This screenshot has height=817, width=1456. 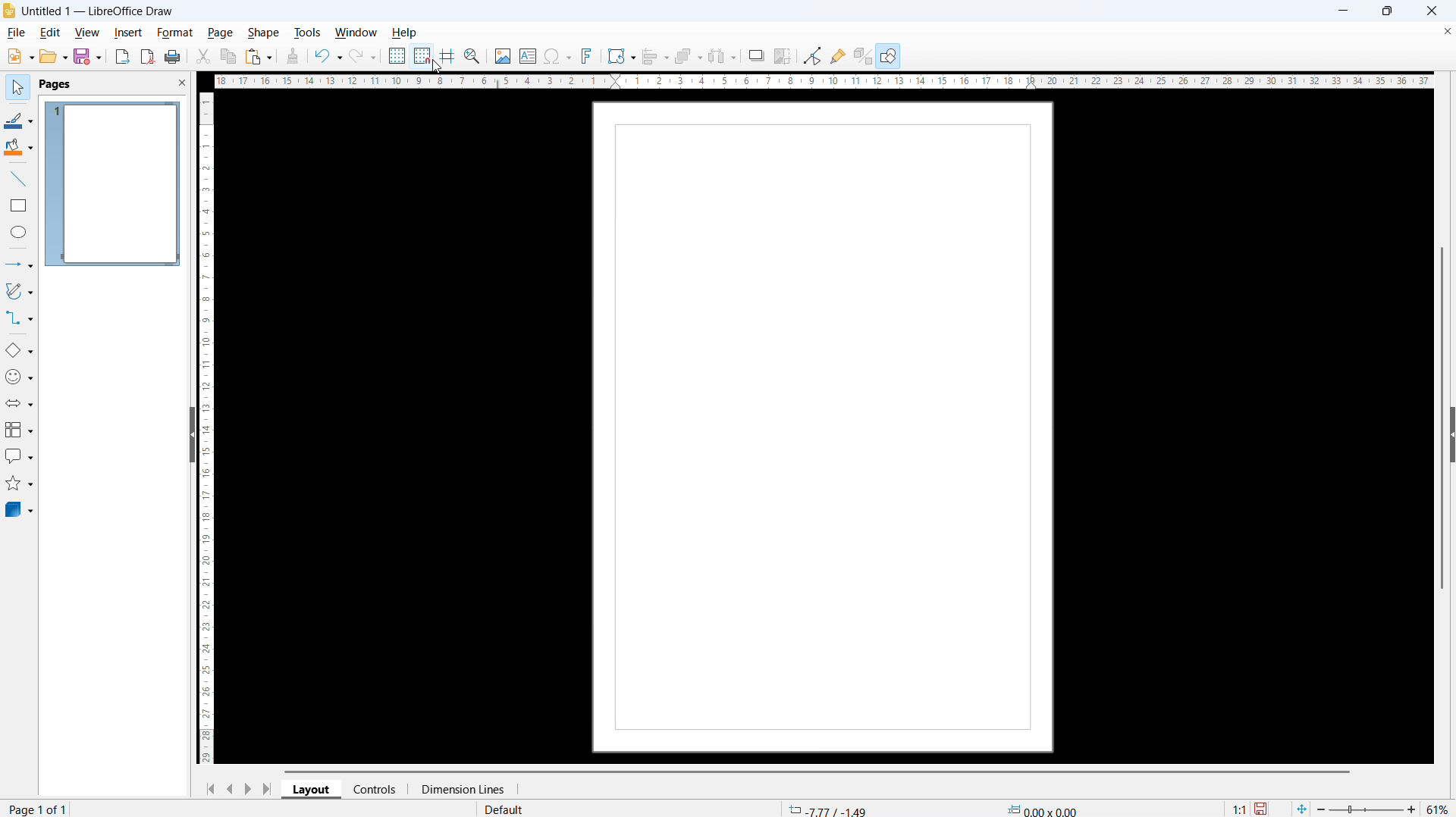 I want to click on Tools , so click(x=308, y=33).